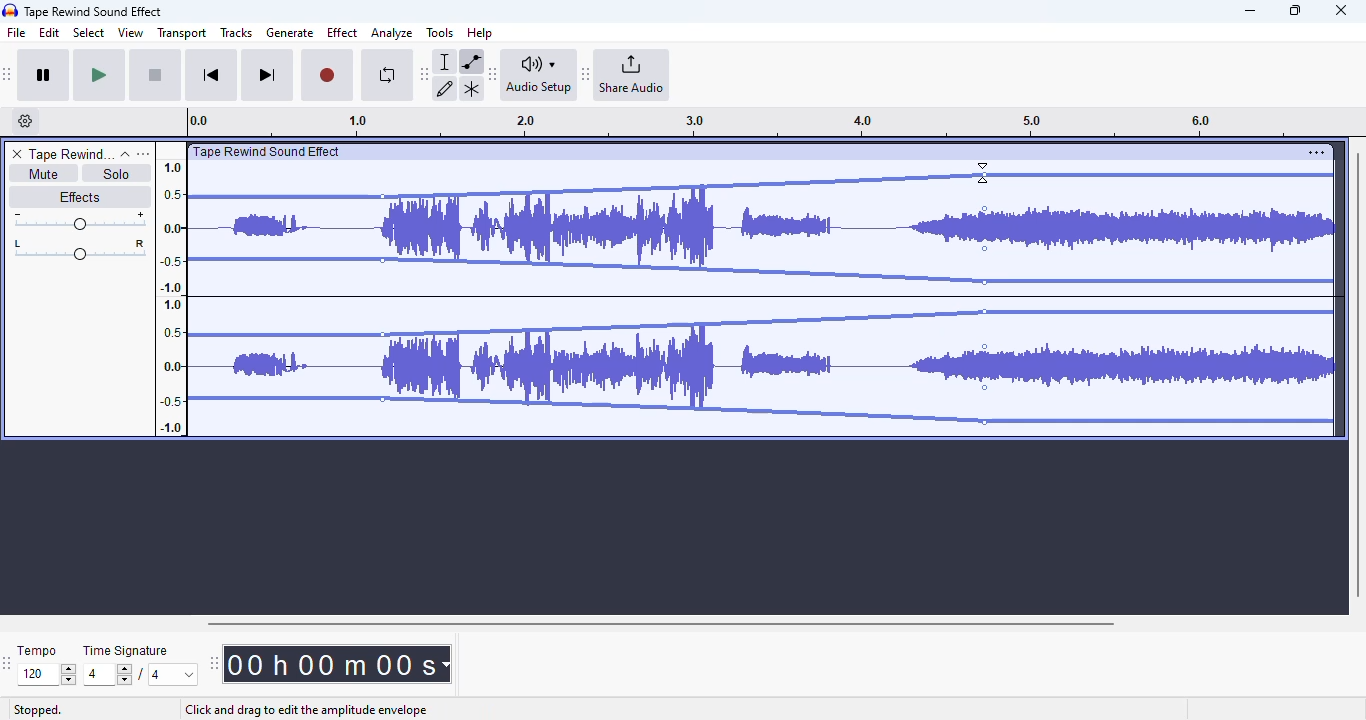 This screenshot has height=720, width=1366. What do you see at coordinates (50, 33) in the screenshot?
I see `edit` at bounding box center [50, 33].